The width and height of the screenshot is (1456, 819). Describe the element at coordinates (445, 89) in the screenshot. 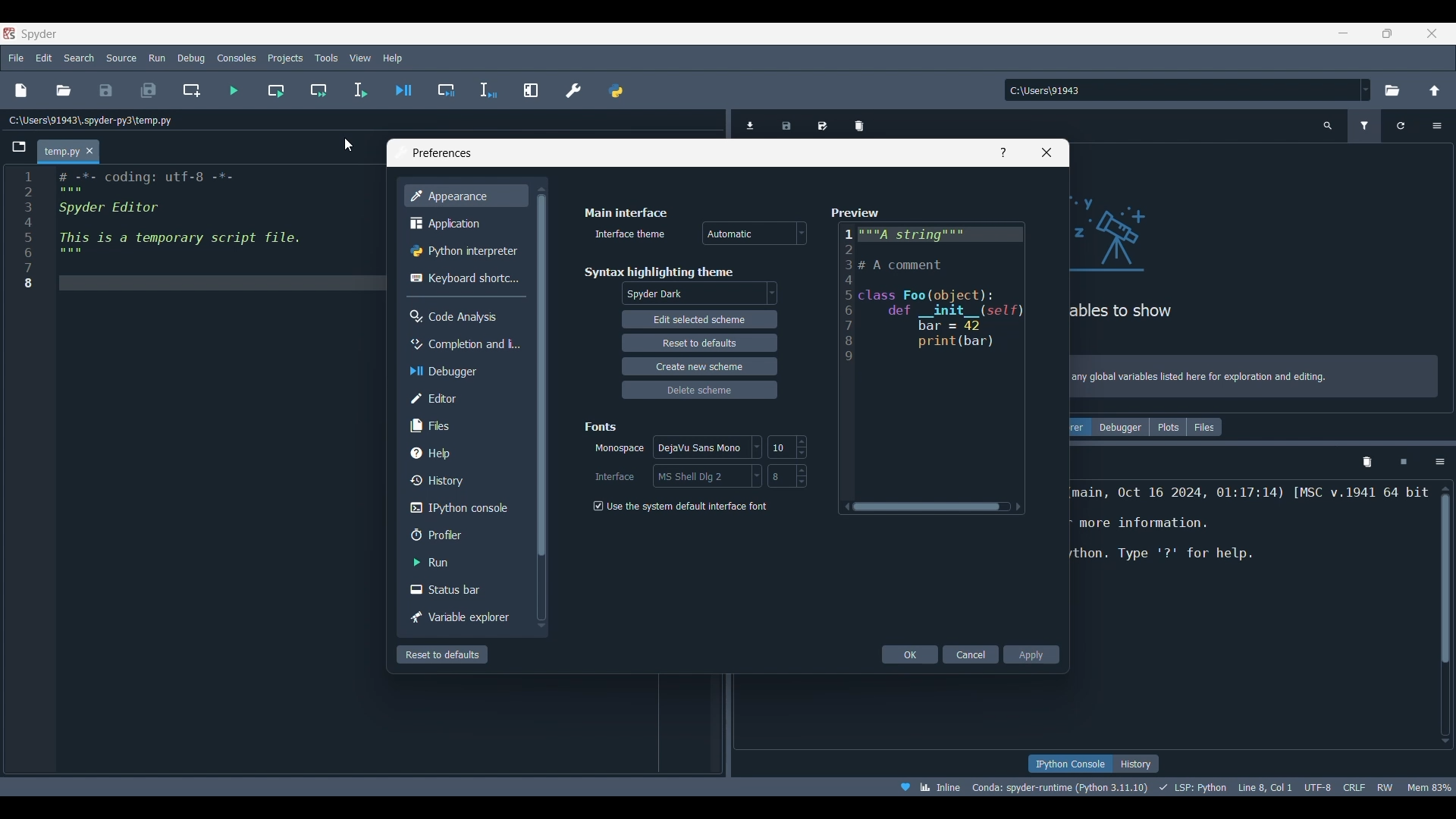

I see `Debug cell` at that location.